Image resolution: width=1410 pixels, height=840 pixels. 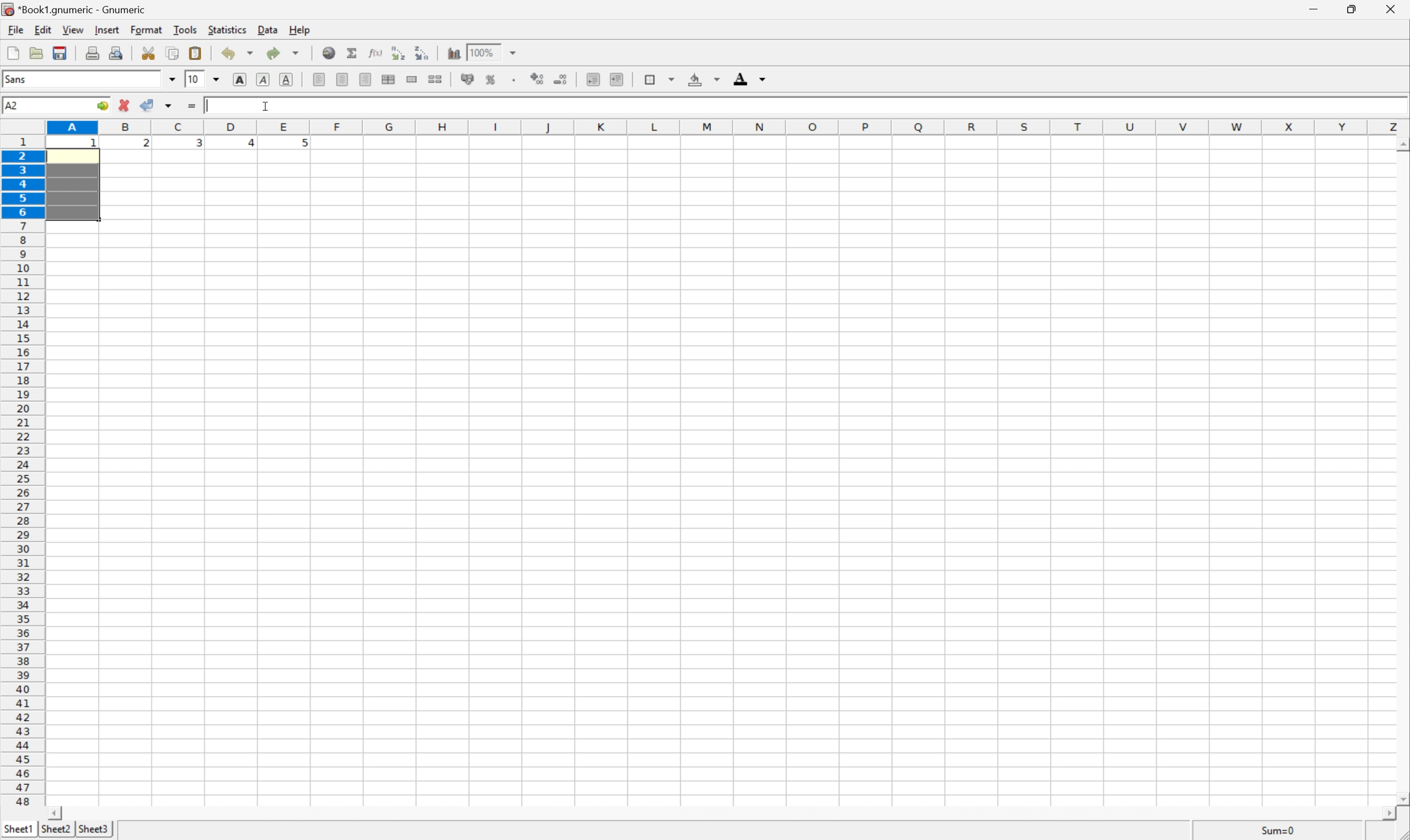 What do you see at coordinates (1355, 8) in the screenshot?
I see `restore down` at bounding box center [1355, 8].